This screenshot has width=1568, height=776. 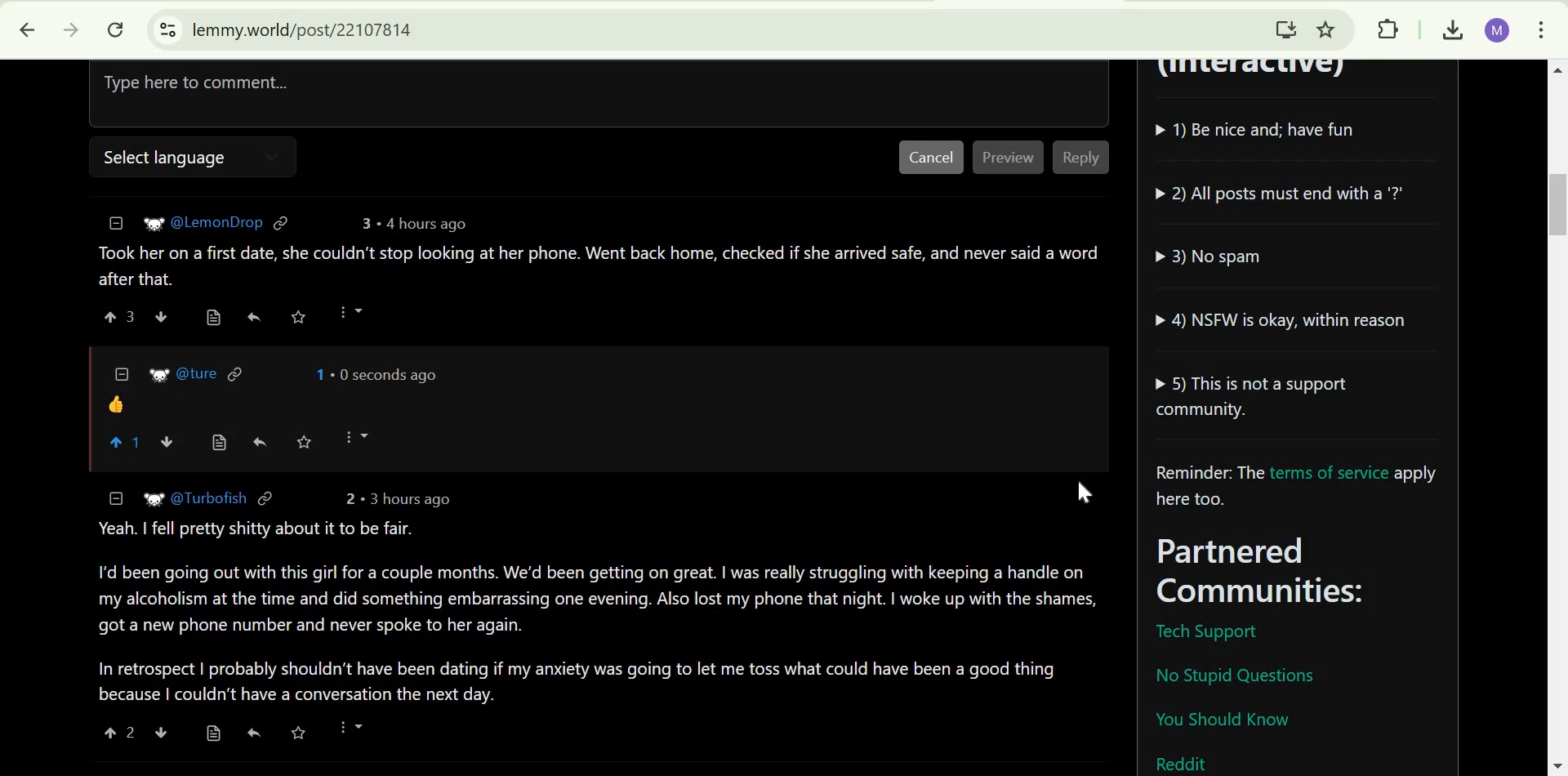 I want to click on downvote, so click(x=169, y=441).